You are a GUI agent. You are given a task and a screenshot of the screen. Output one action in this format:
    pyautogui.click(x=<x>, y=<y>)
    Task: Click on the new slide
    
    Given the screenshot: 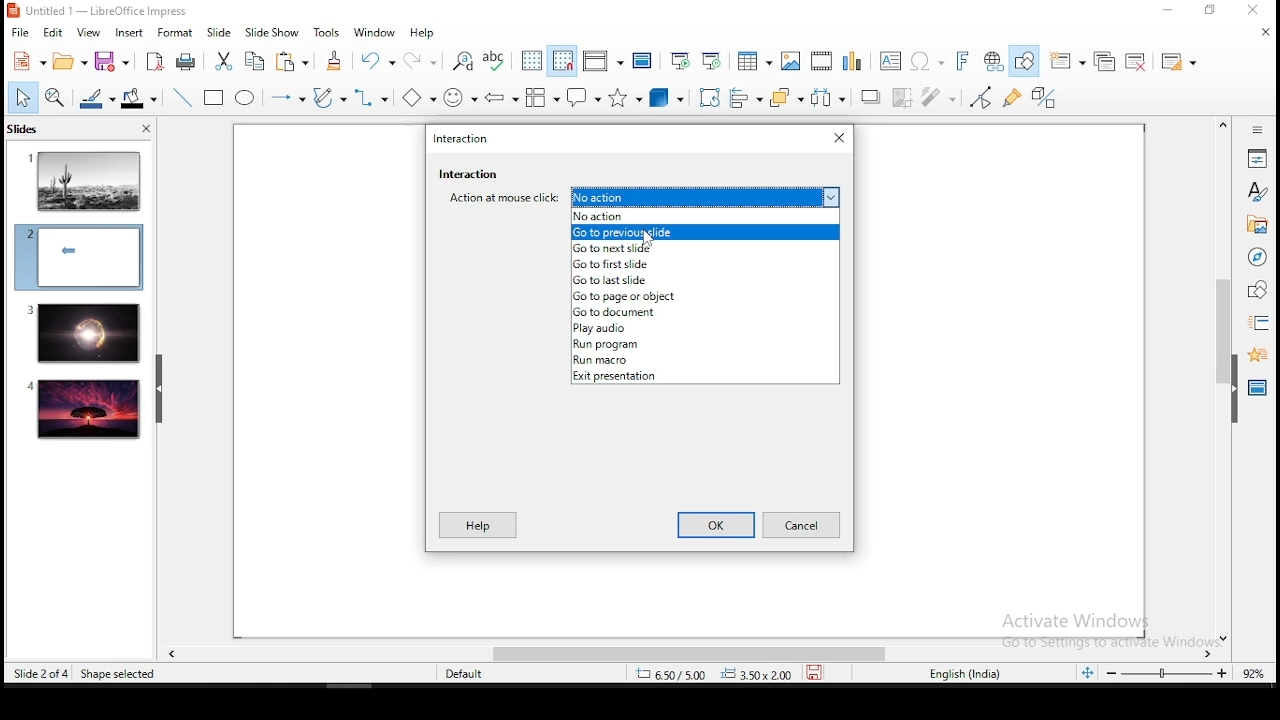 What is the action you would take?
    pyautogui.click(x=1069, y=60)
    